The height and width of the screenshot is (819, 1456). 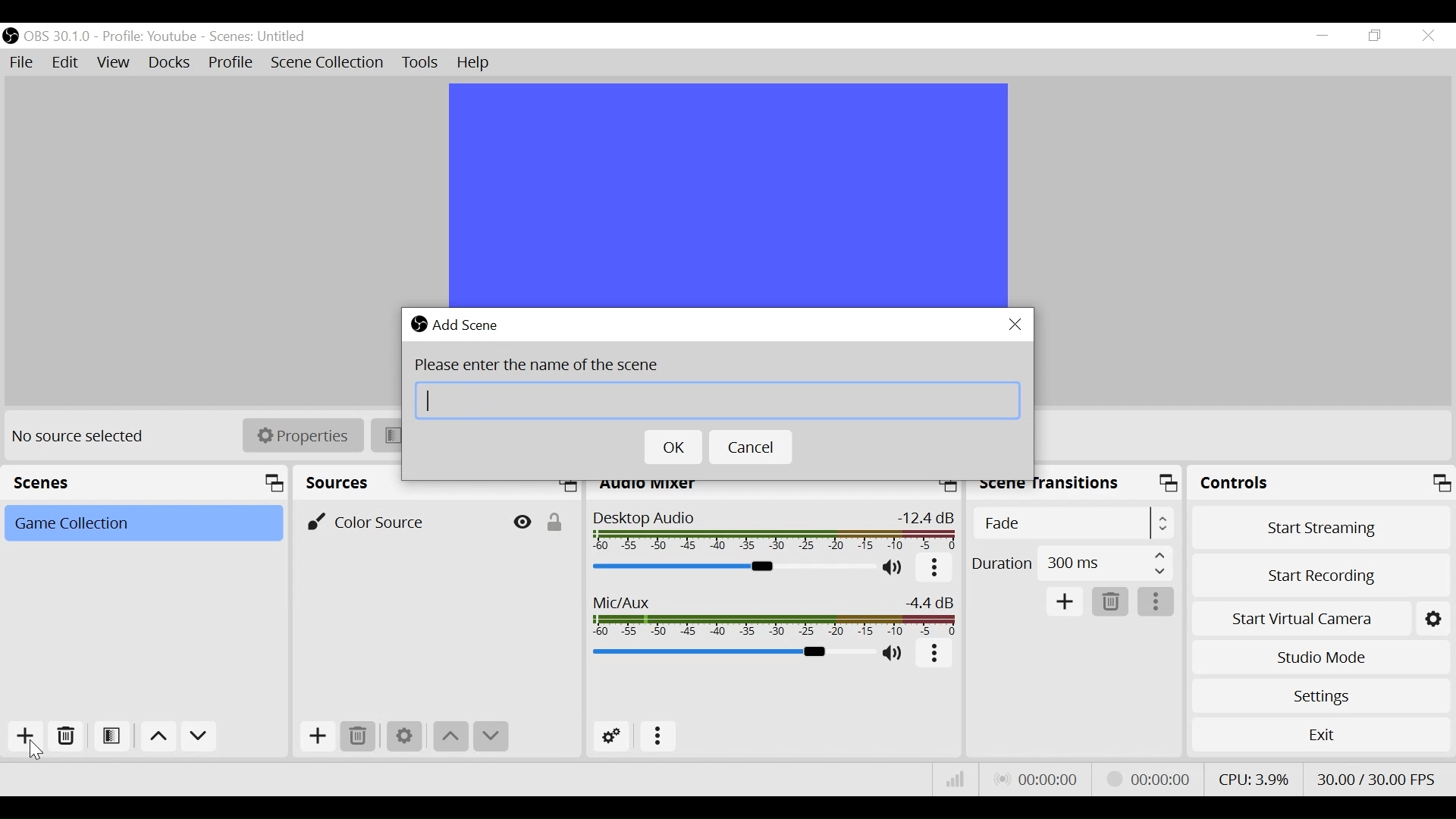 What do you see at coordinates (536, 365) in the screenshot?
I see `Please enter the name of the scene` at bounding box center [536, 365].